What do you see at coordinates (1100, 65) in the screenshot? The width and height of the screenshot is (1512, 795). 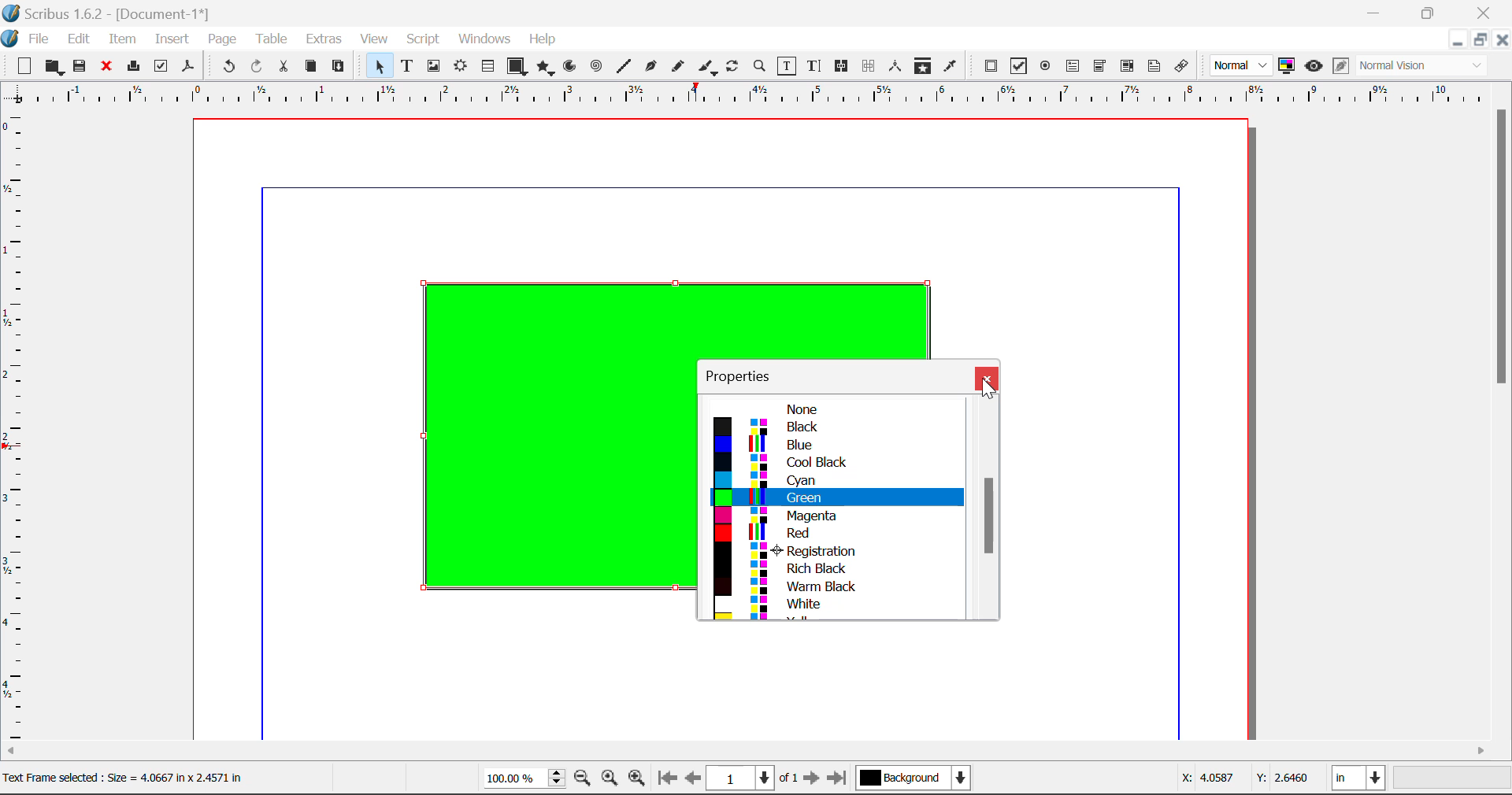 I see `Pdf Combo Box` at bounding box center [1100, 65].